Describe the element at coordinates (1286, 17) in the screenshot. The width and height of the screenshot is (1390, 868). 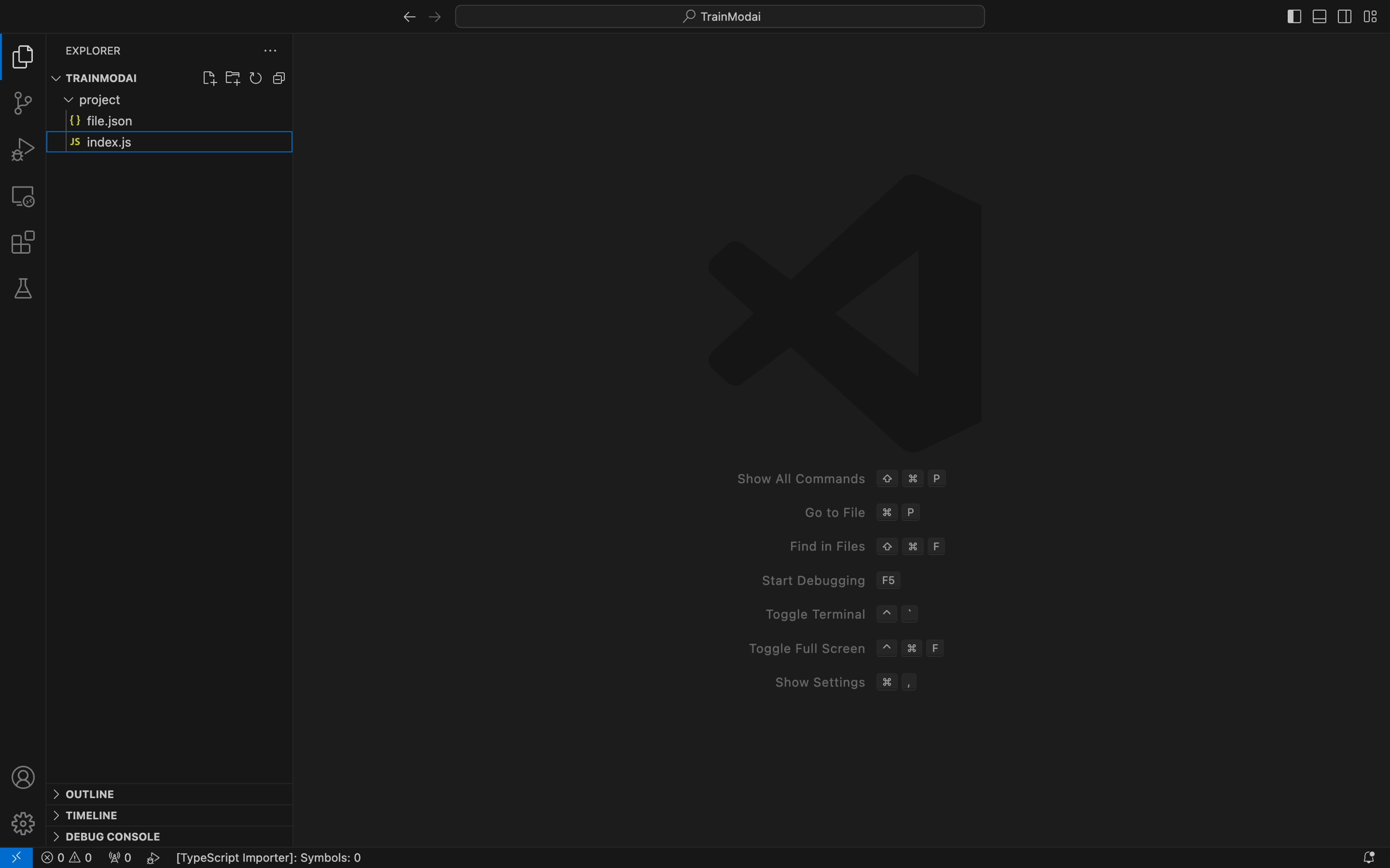
I see `sidebat left` at that location.